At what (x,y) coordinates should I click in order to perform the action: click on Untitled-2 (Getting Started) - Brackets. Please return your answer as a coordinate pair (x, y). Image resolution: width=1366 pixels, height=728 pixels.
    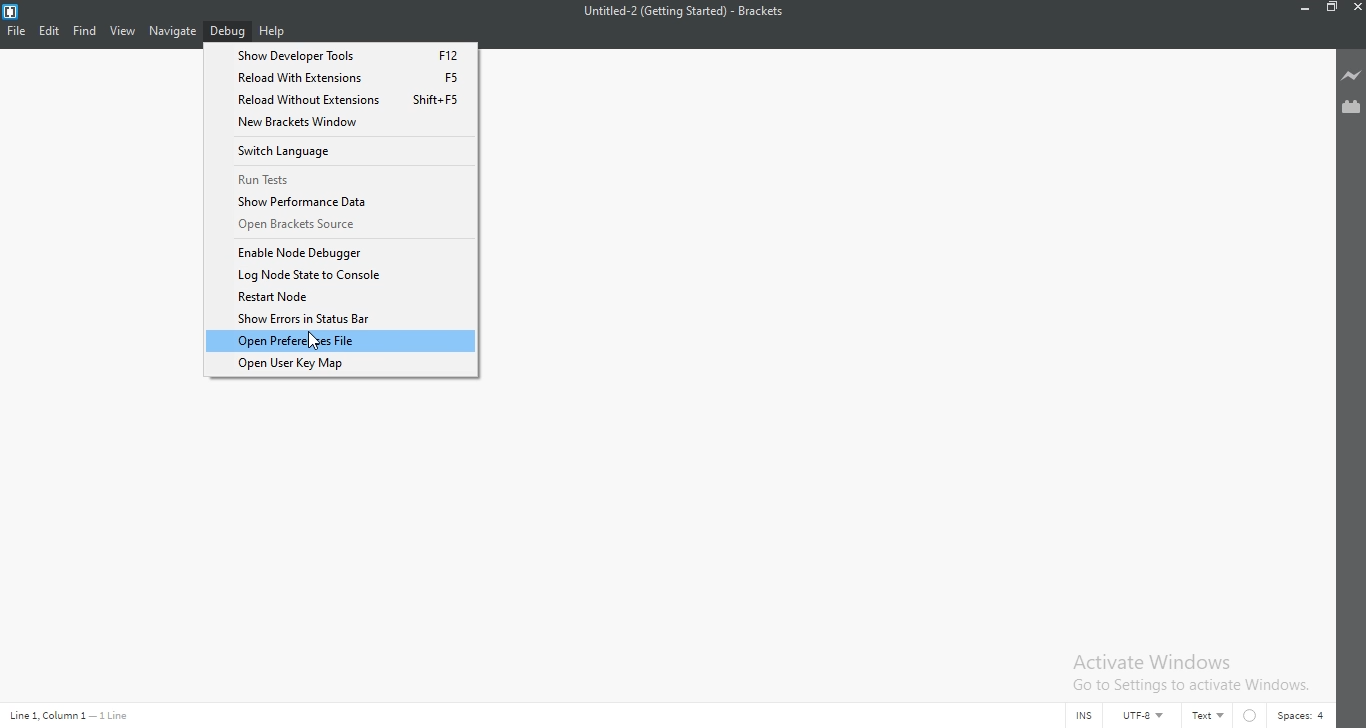
    Looking at the image, I should click on (684, 12).